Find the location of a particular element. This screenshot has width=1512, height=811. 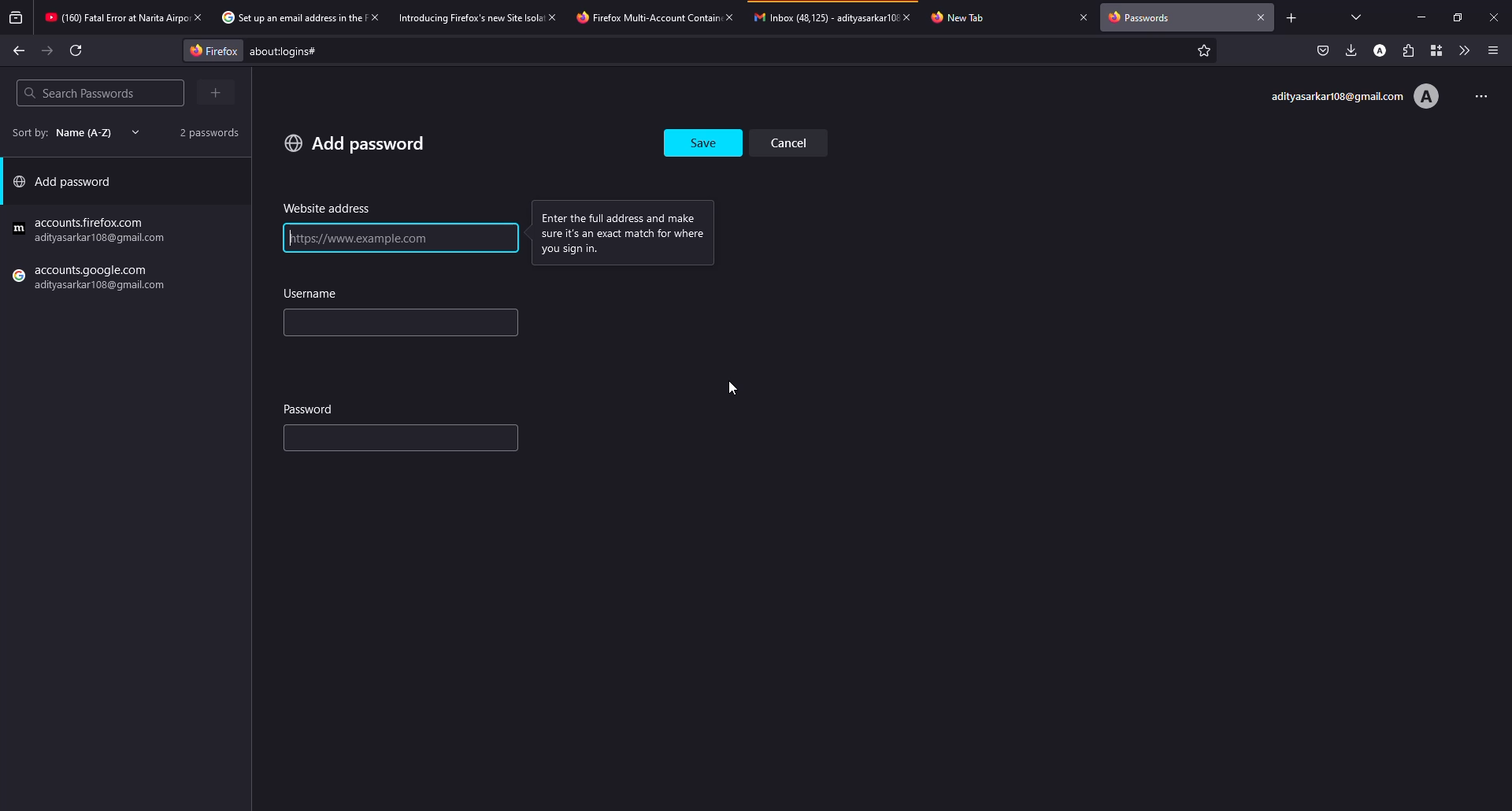

address is located at coordinates (328, 209).